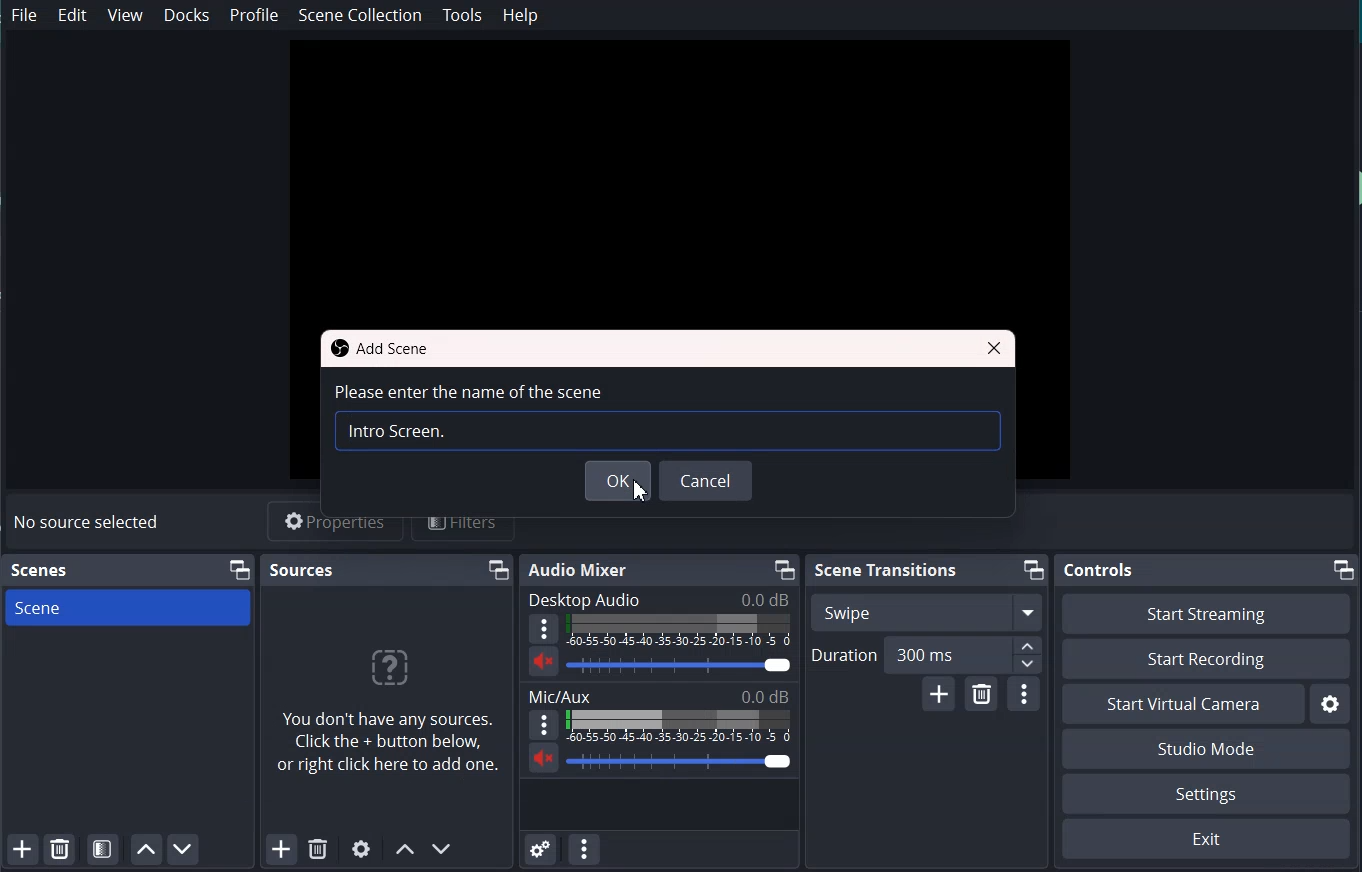 The image size is (1362, 872). I want to click on Text, so click(660, 695).